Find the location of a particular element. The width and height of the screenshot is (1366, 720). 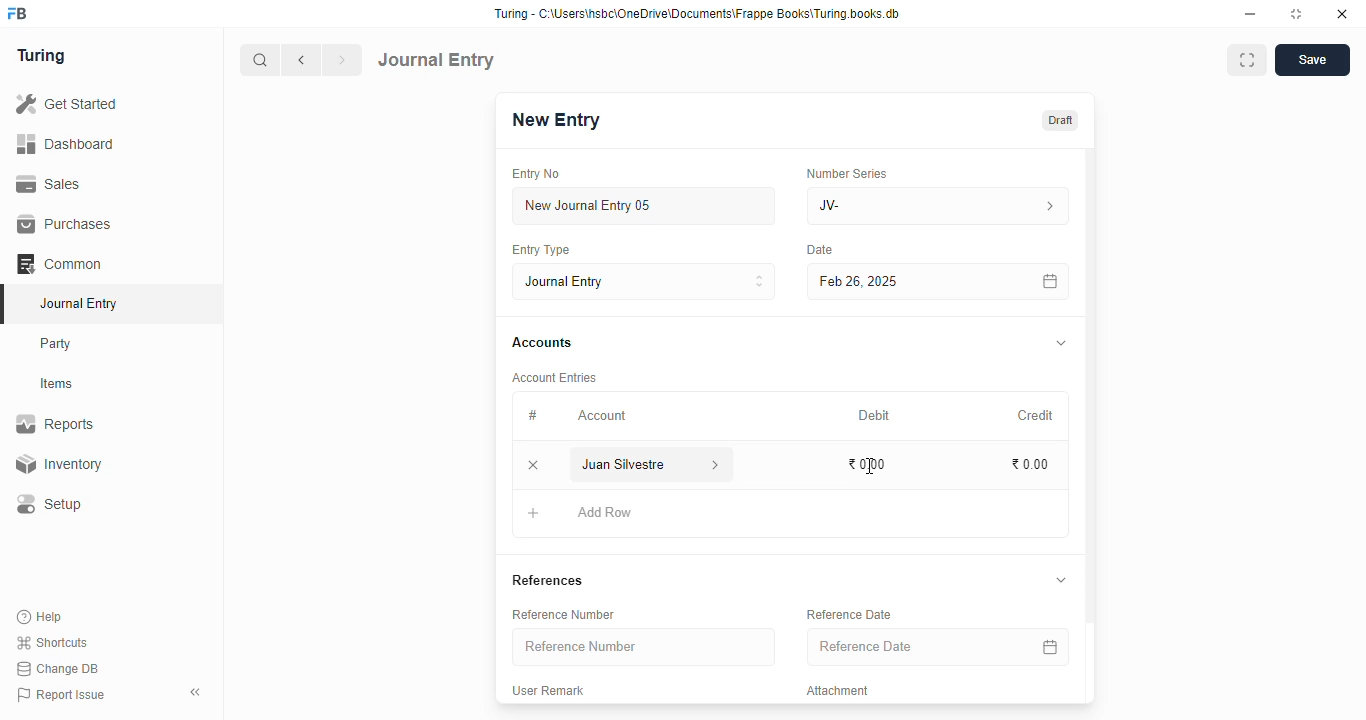

entry type is located at coordinates (541, 250).